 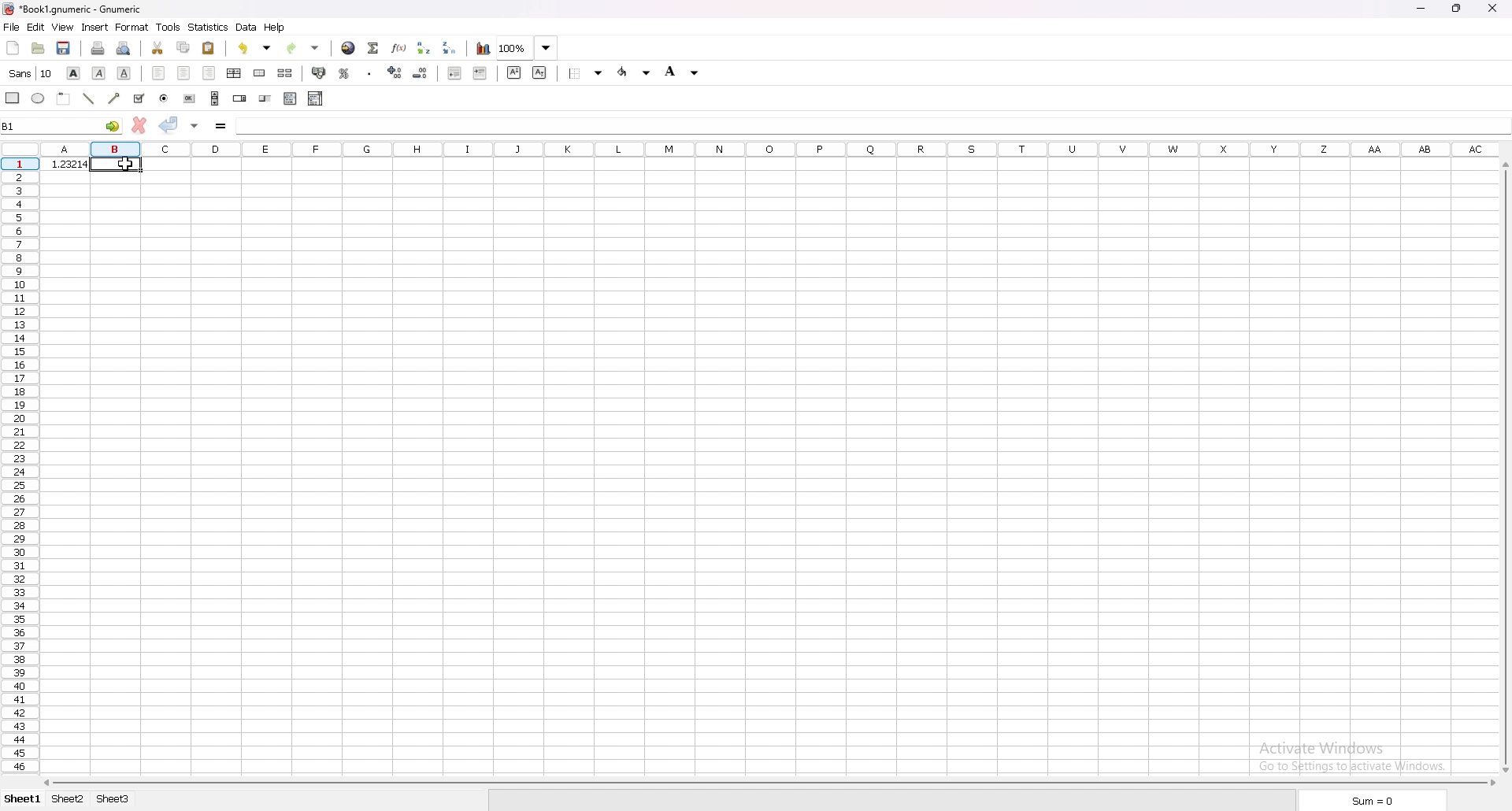 What do you see at coordinates (13, 98) in the screenshot?
I see `rectangle` at bounding box center [13, 98].